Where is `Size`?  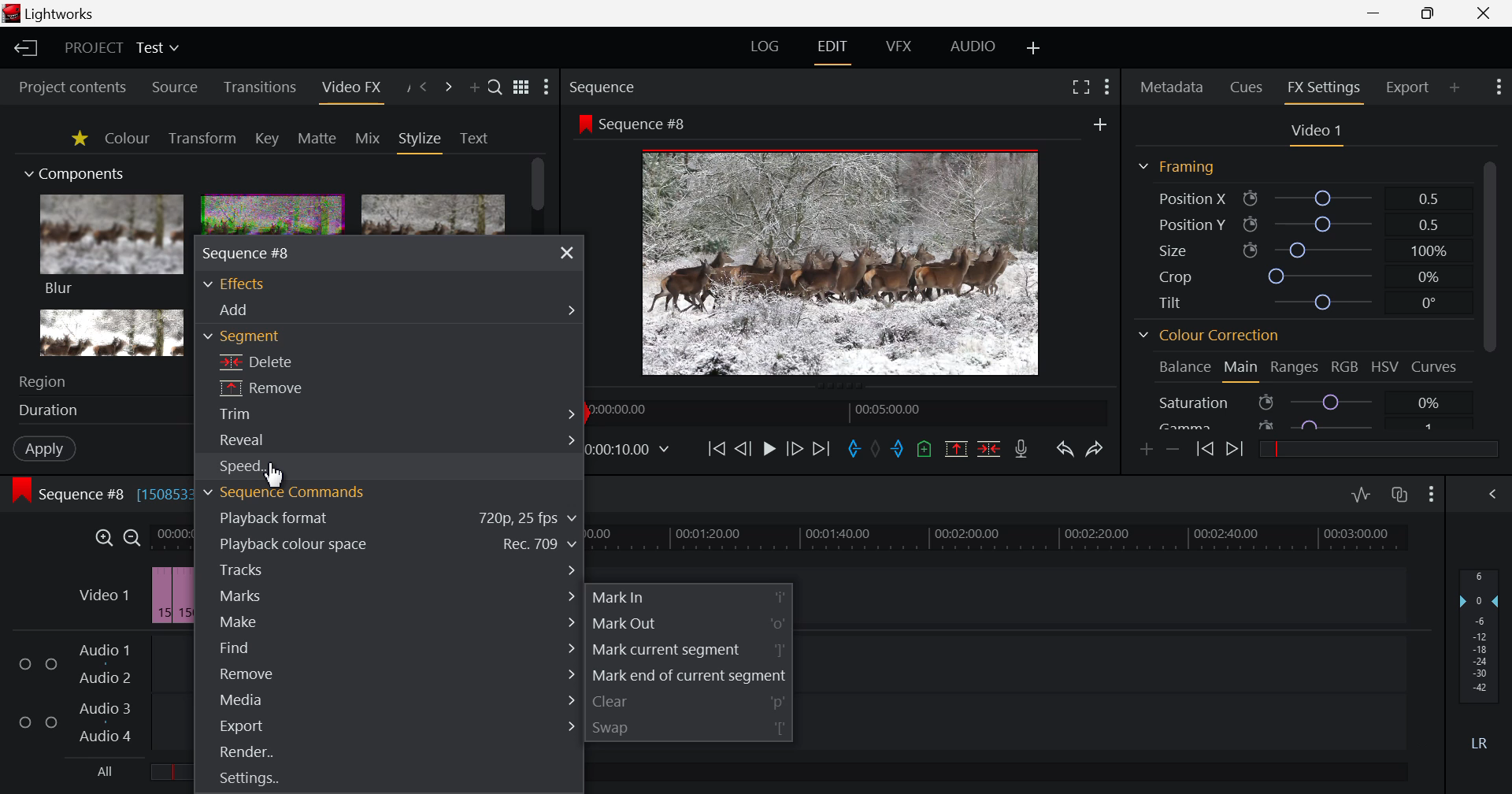
Size is located at coordinates (1299, 250).